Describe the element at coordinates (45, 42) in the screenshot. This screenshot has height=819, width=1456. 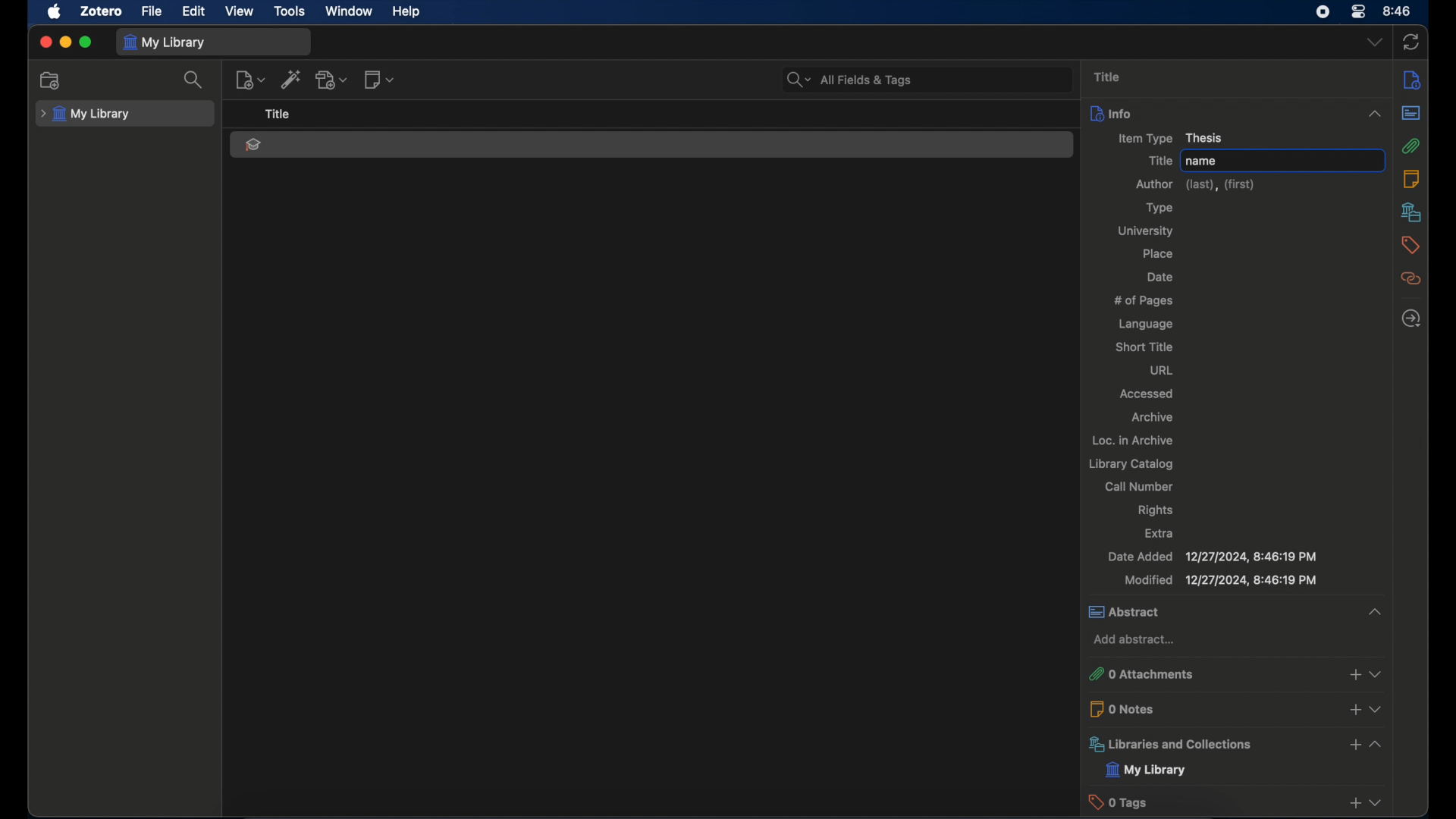
I see `close` at that location.